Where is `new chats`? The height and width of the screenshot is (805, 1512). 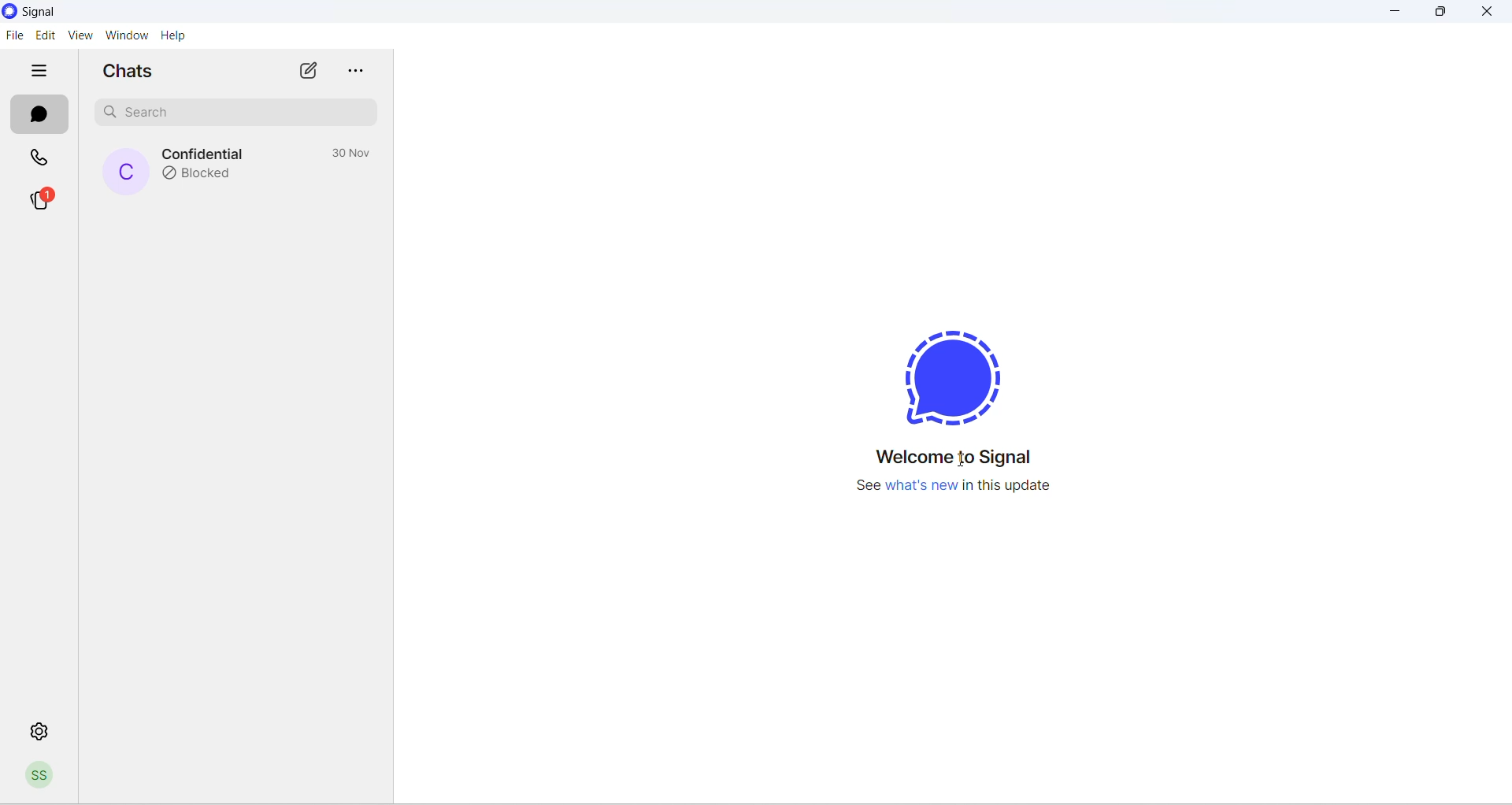
new chats is located at coordinates (309, 68).